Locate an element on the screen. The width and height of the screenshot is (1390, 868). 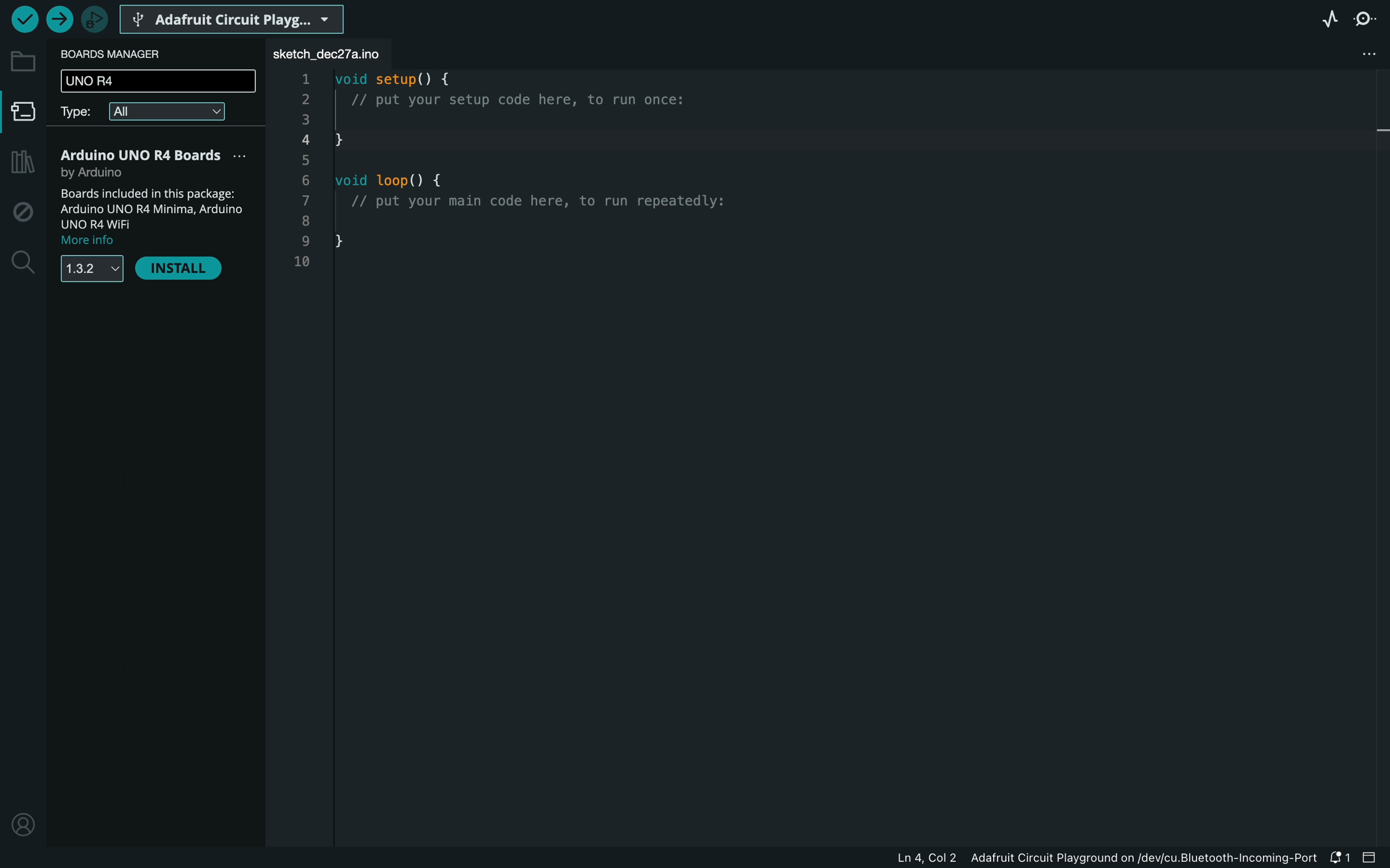
board manager is located at coordinates (122, 55).